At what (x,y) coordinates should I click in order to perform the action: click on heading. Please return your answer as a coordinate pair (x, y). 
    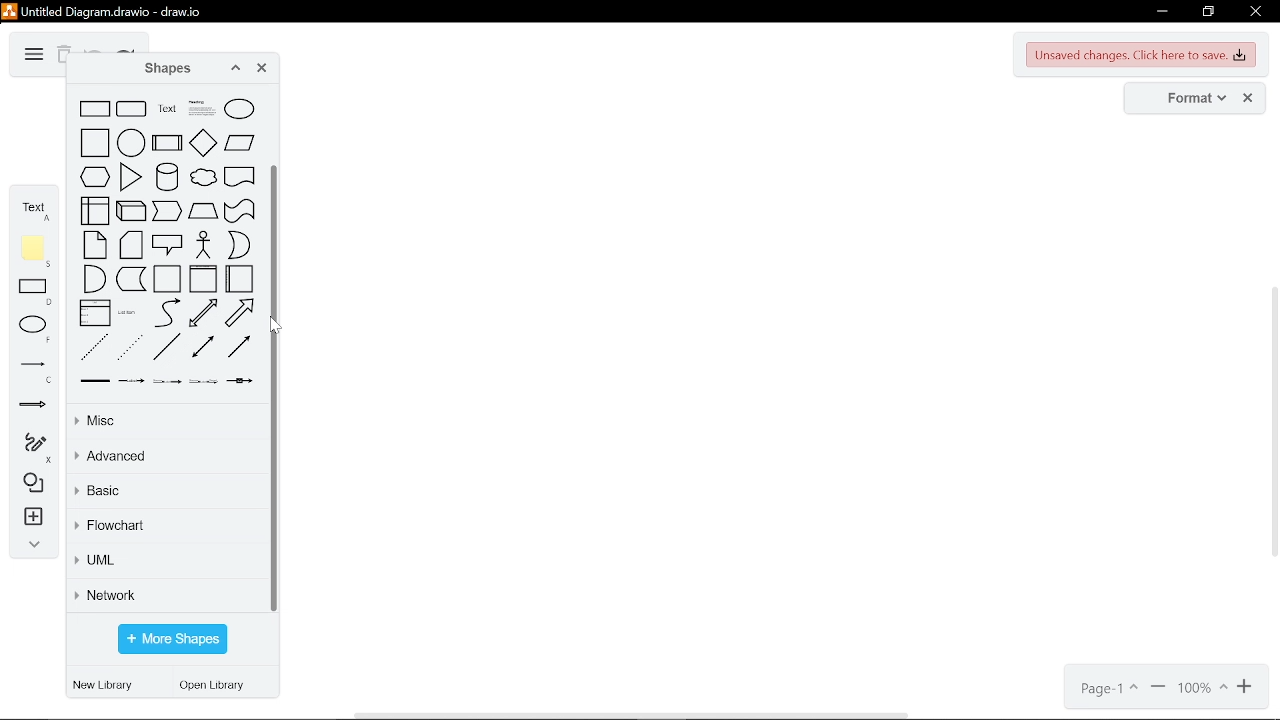
    Looking at the image, I should click on (202, 108).